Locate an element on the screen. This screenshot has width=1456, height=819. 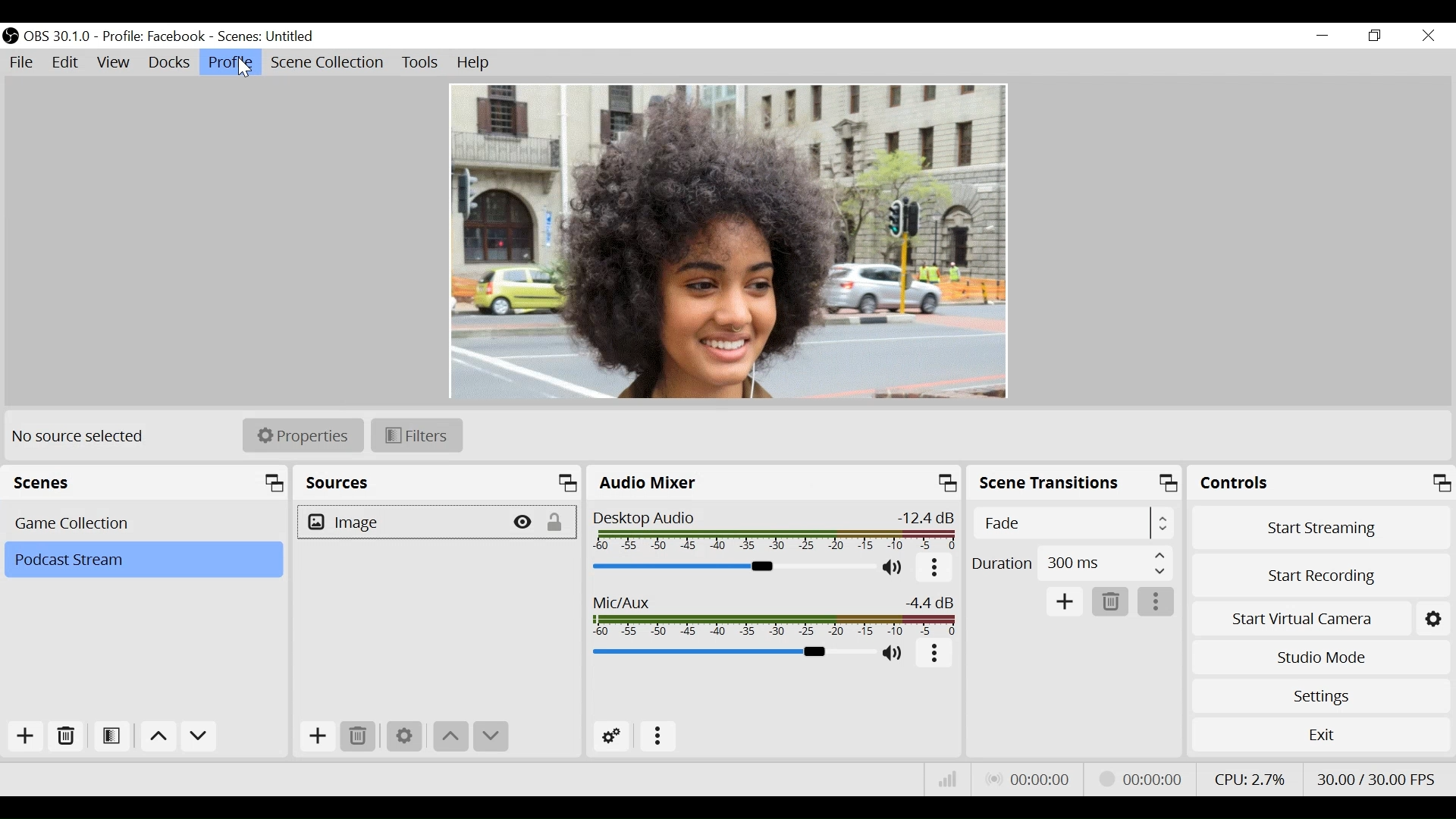
Preview is located at coordinates (732, 240).